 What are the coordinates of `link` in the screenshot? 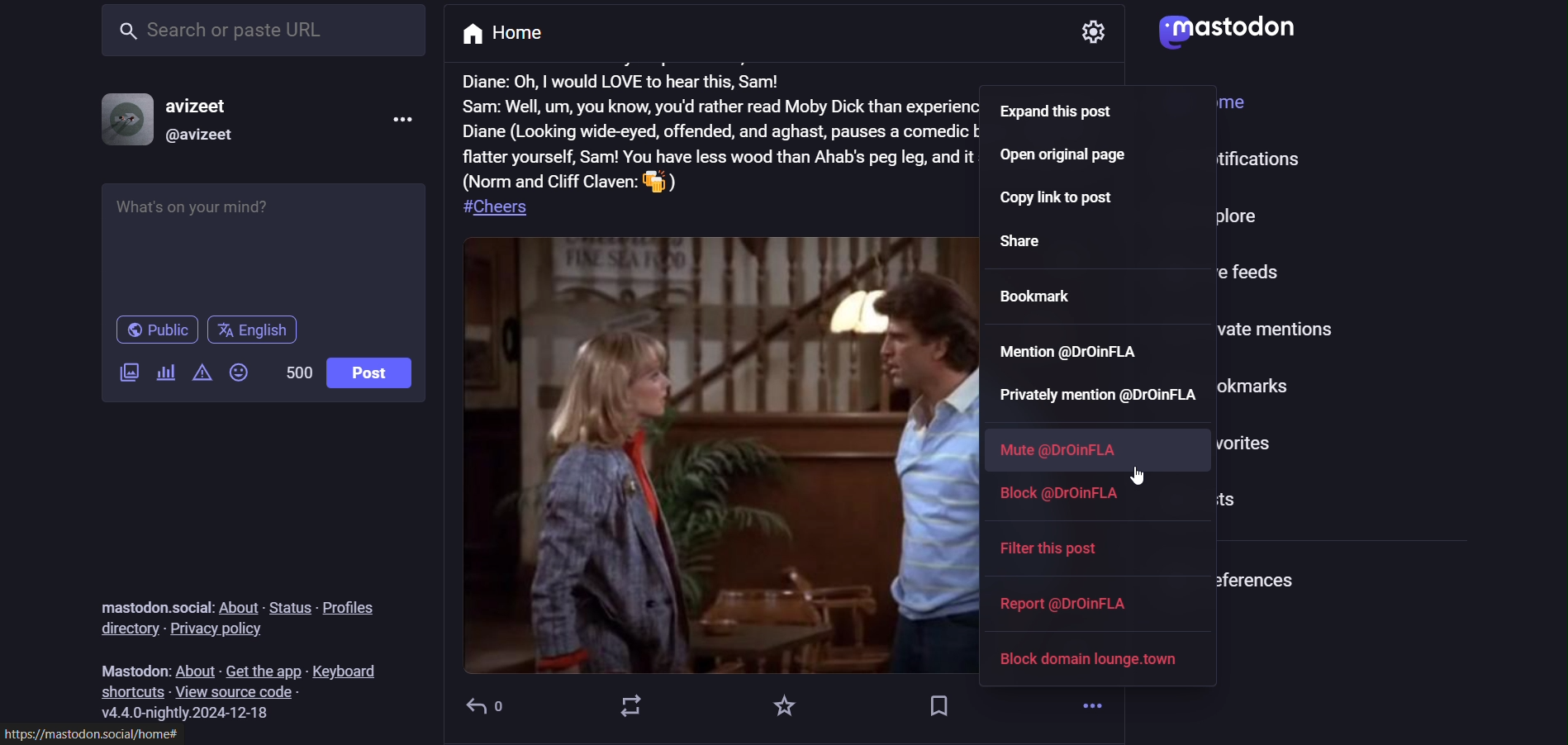 It's located at (93, 733).